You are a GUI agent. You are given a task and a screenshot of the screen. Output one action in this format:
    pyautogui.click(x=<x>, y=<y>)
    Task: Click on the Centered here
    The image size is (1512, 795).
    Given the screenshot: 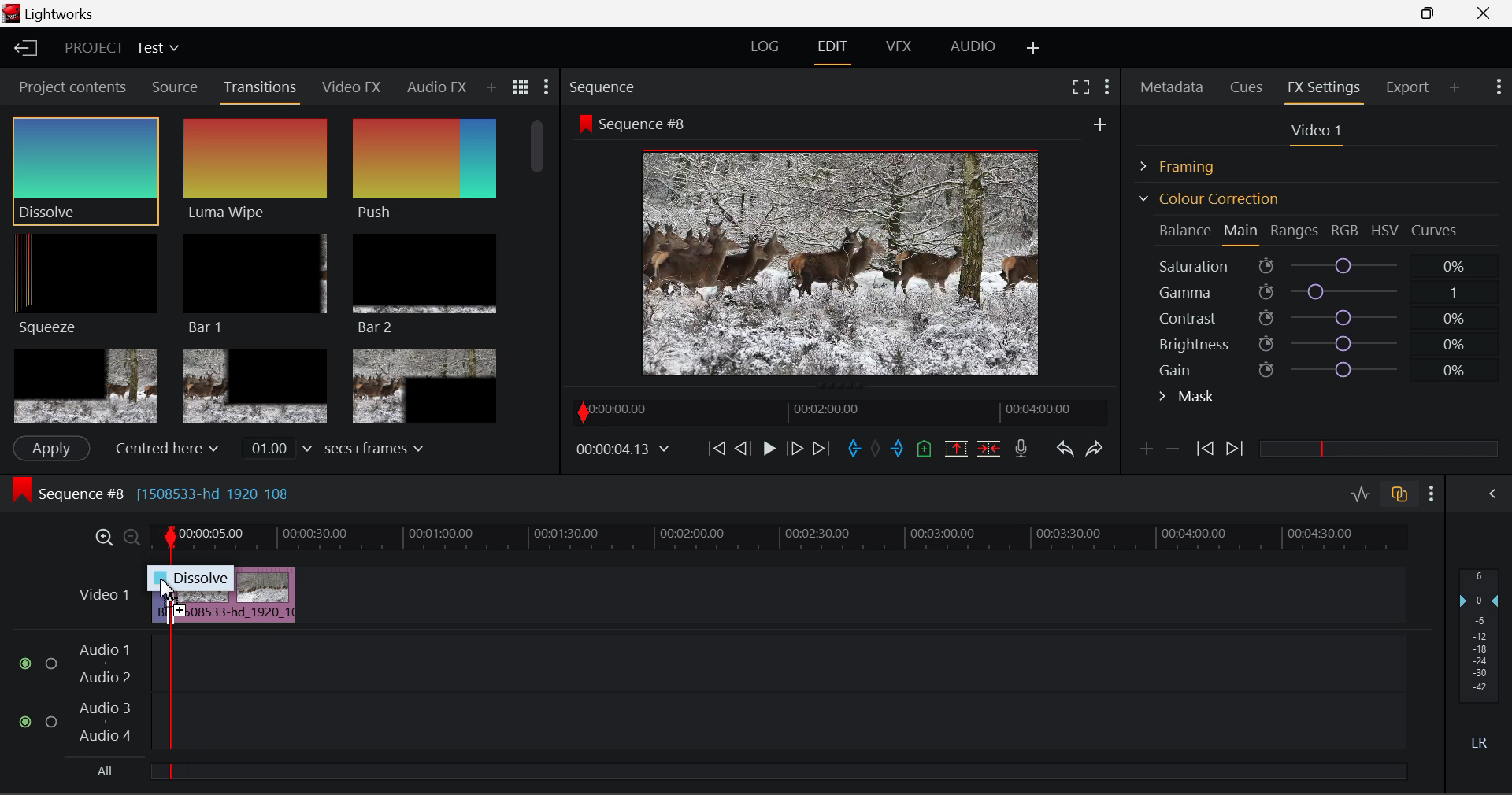 What is the action you would take?
    pyautogui.click(x=169, y=448)
    